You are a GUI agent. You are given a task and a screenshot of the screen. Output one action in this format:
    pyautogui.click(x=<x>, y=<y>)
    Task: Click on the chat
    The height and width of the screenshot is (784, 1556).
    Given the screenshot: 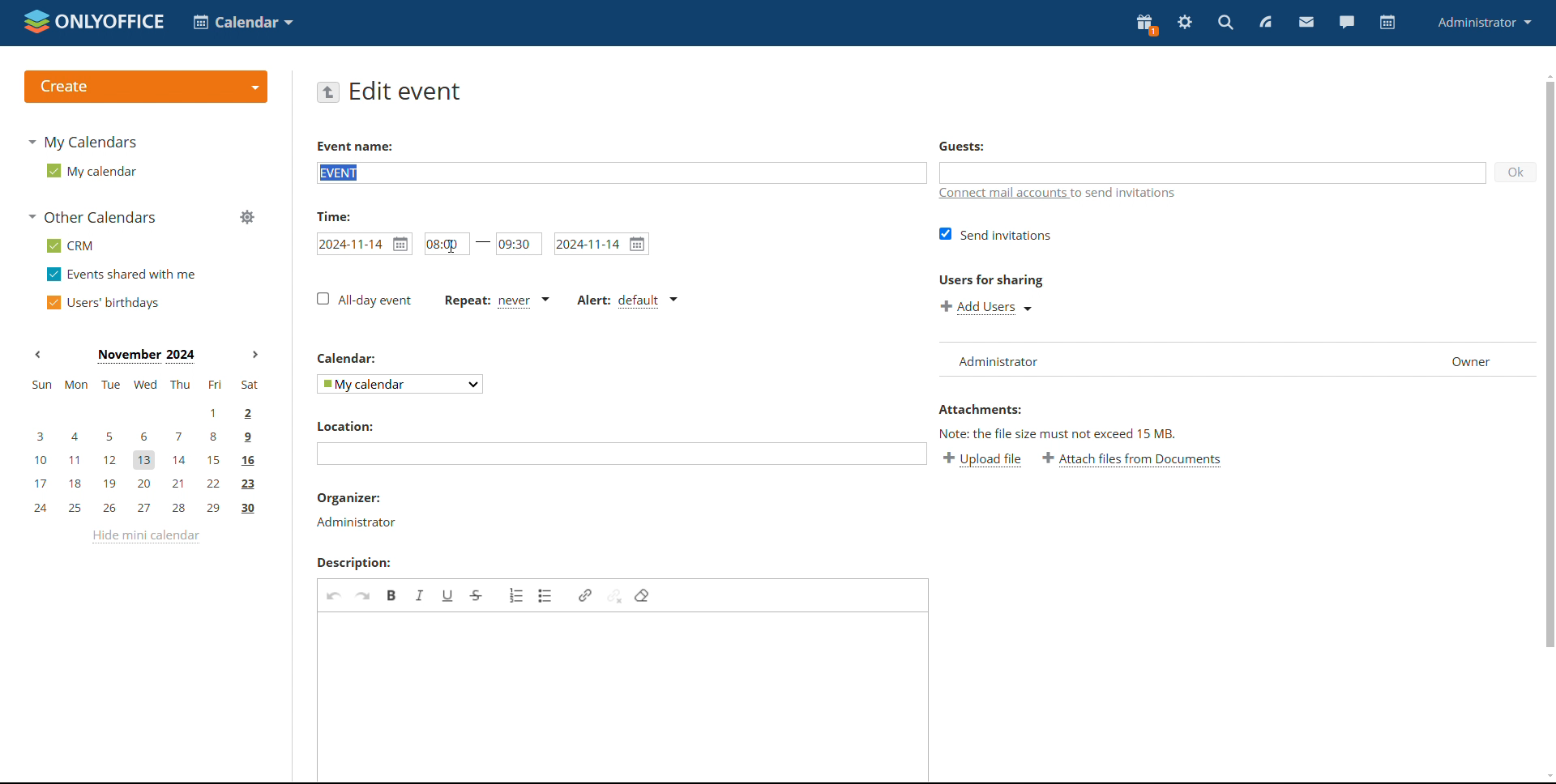 What is the action you would take?
    pyautogui.click(x=1346, y=23)
    